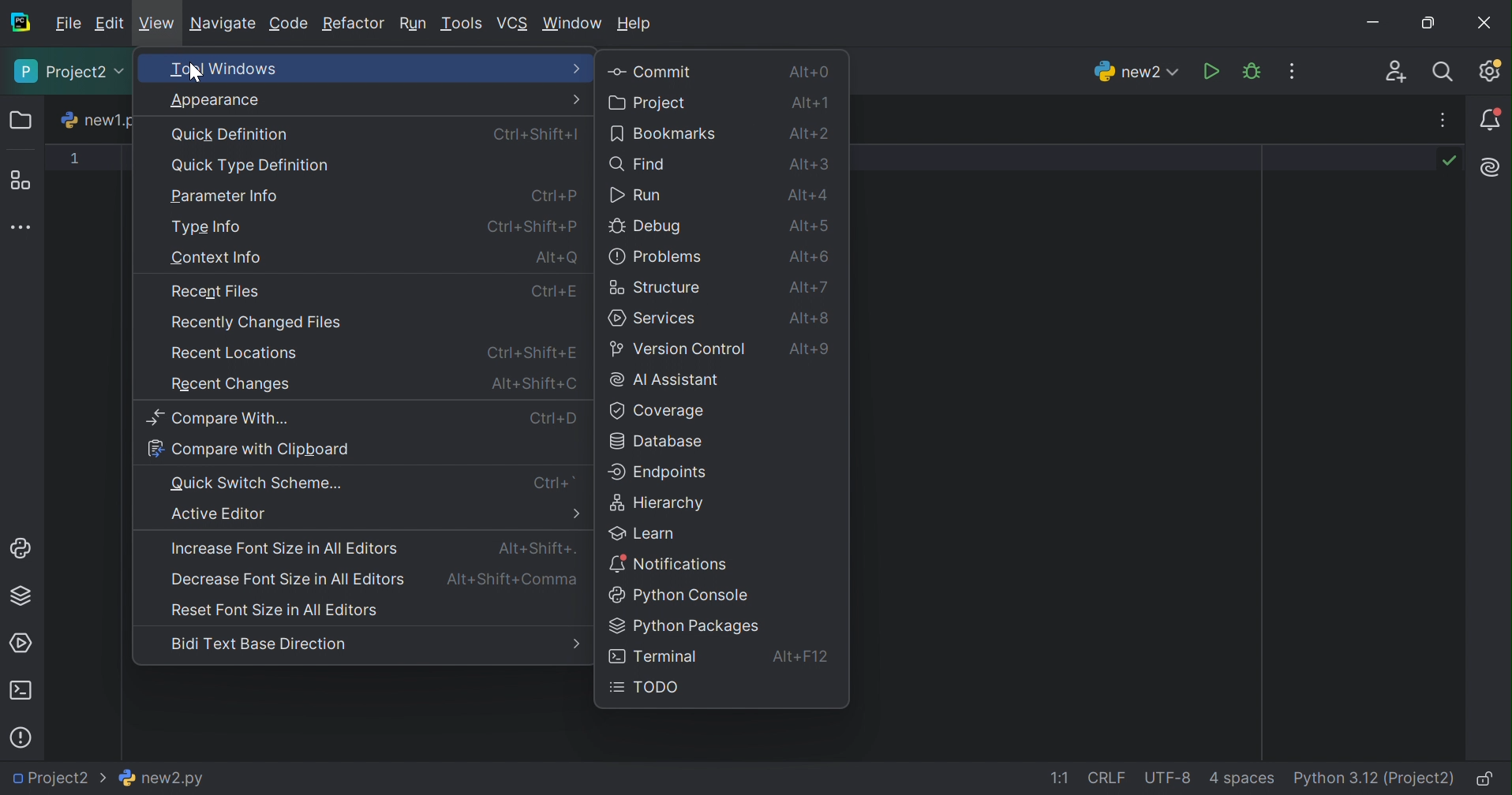 The height and width of the screenshot is (795, 1512). Describe the element at coordinates (657, 256) in the screenshot. I see `` at that location.